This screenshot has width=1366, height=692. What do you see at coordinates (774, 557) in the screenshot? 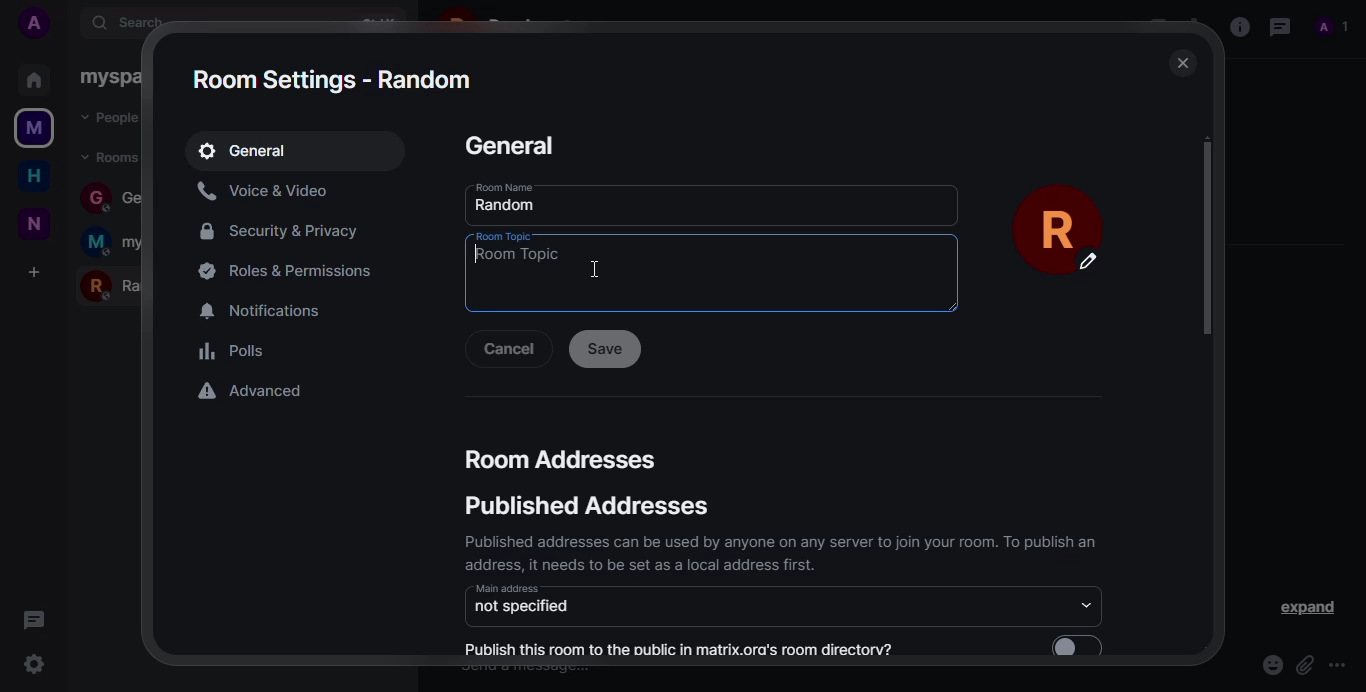
I see `Published addresses can be used by anyone on any server to join your room. 1o publish an
address, it needs to be set as a local address first.` at bounding box center [774, 557].